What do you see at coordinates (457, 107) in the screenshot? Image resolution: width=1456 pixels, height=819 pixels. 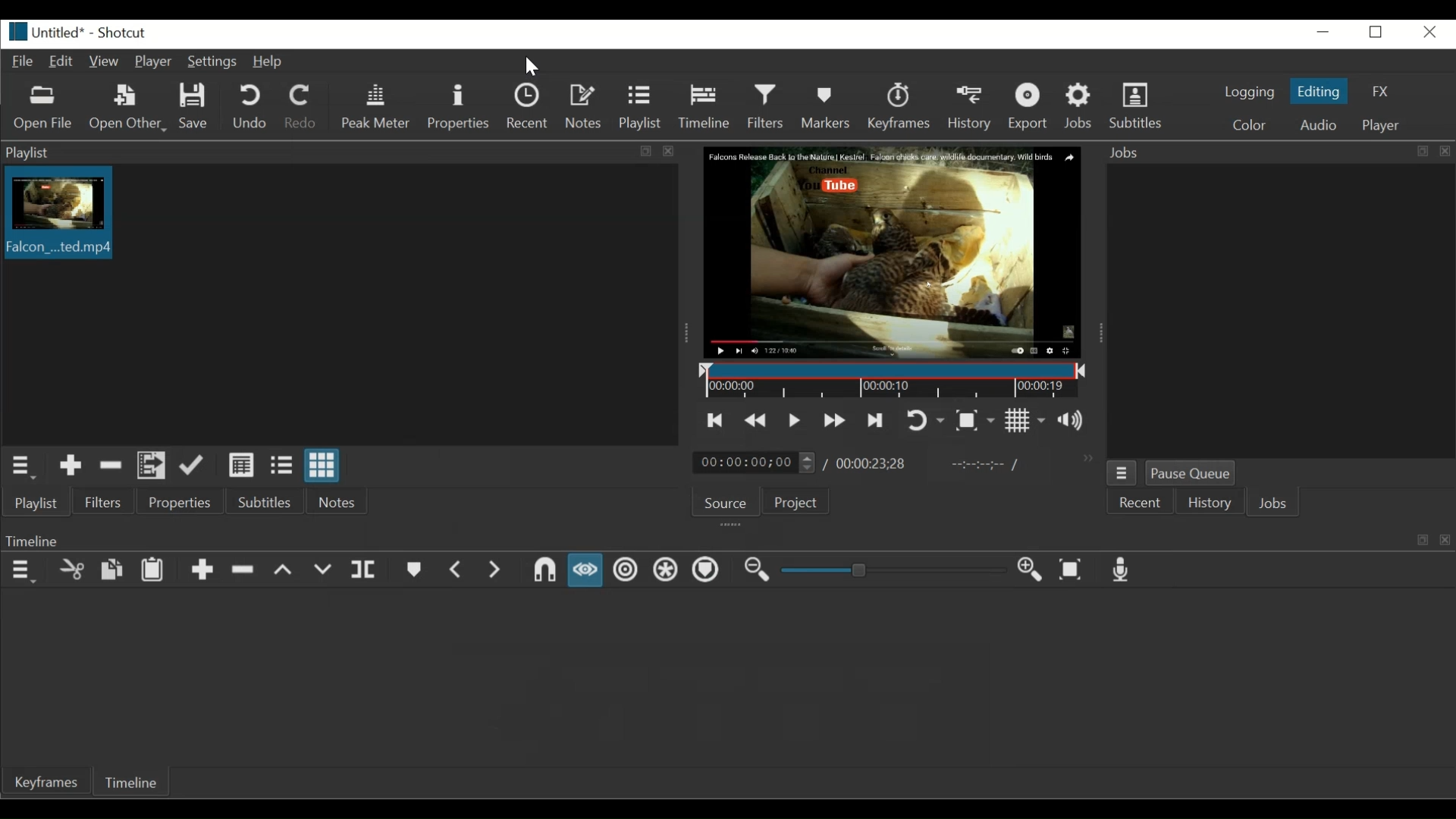 I see `Properties` at bounding box center [457, 107].